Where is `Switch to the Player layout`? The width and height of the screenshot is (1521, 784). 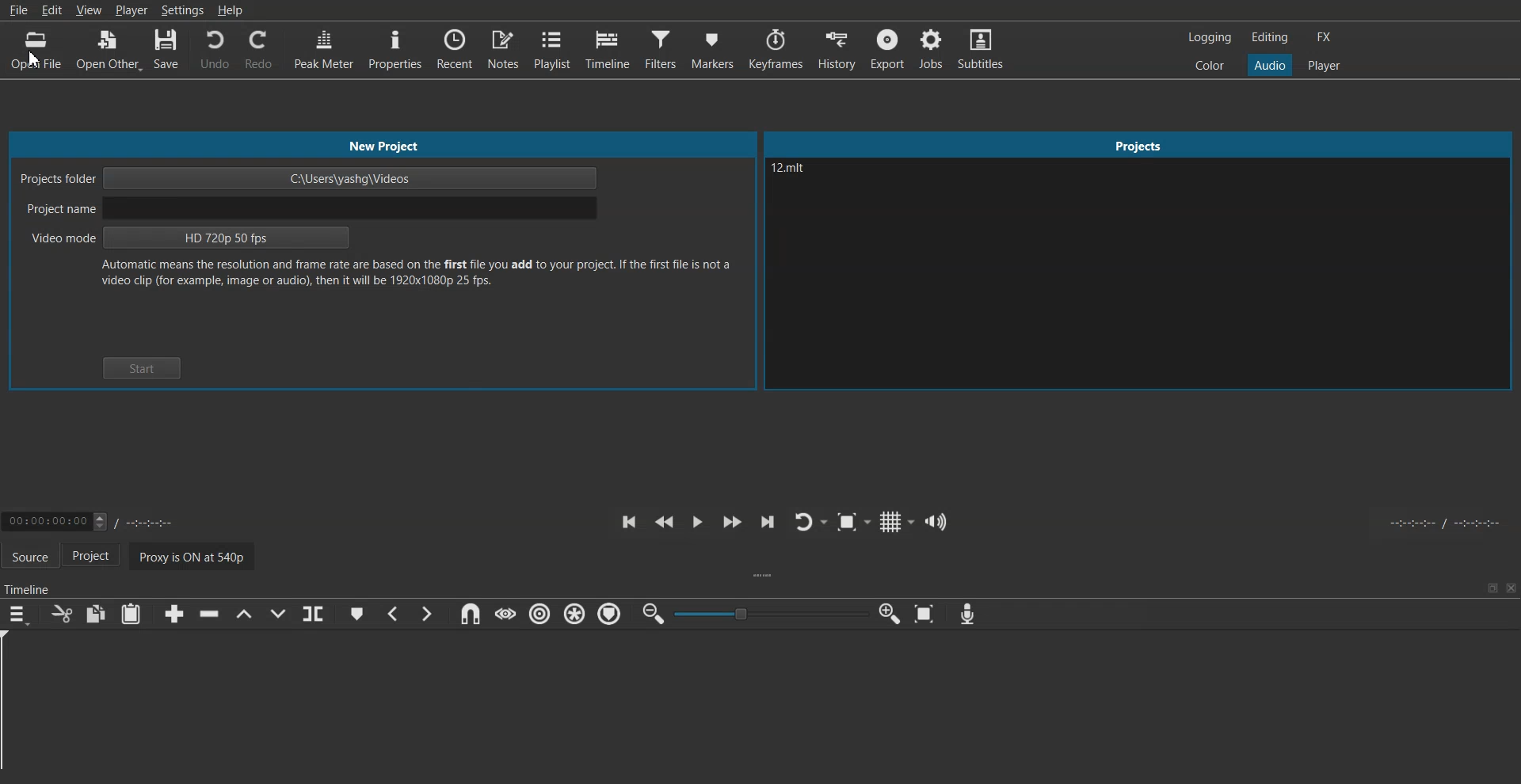 Switch to the Player layout is located at coordinates (1325, 64).